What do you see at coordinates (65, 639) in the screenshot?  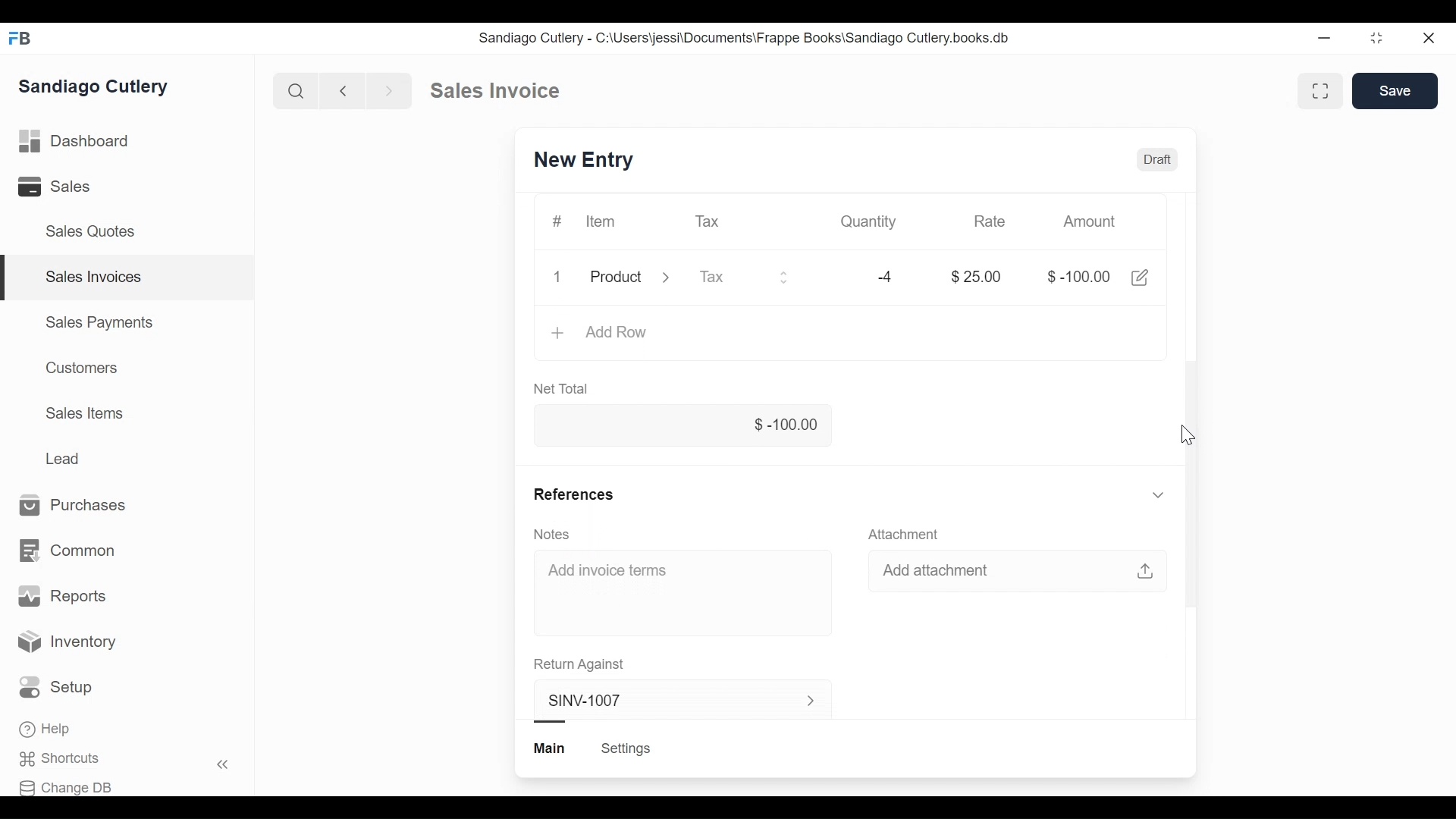 I see `Inventory` at bounding box center [65, 639].